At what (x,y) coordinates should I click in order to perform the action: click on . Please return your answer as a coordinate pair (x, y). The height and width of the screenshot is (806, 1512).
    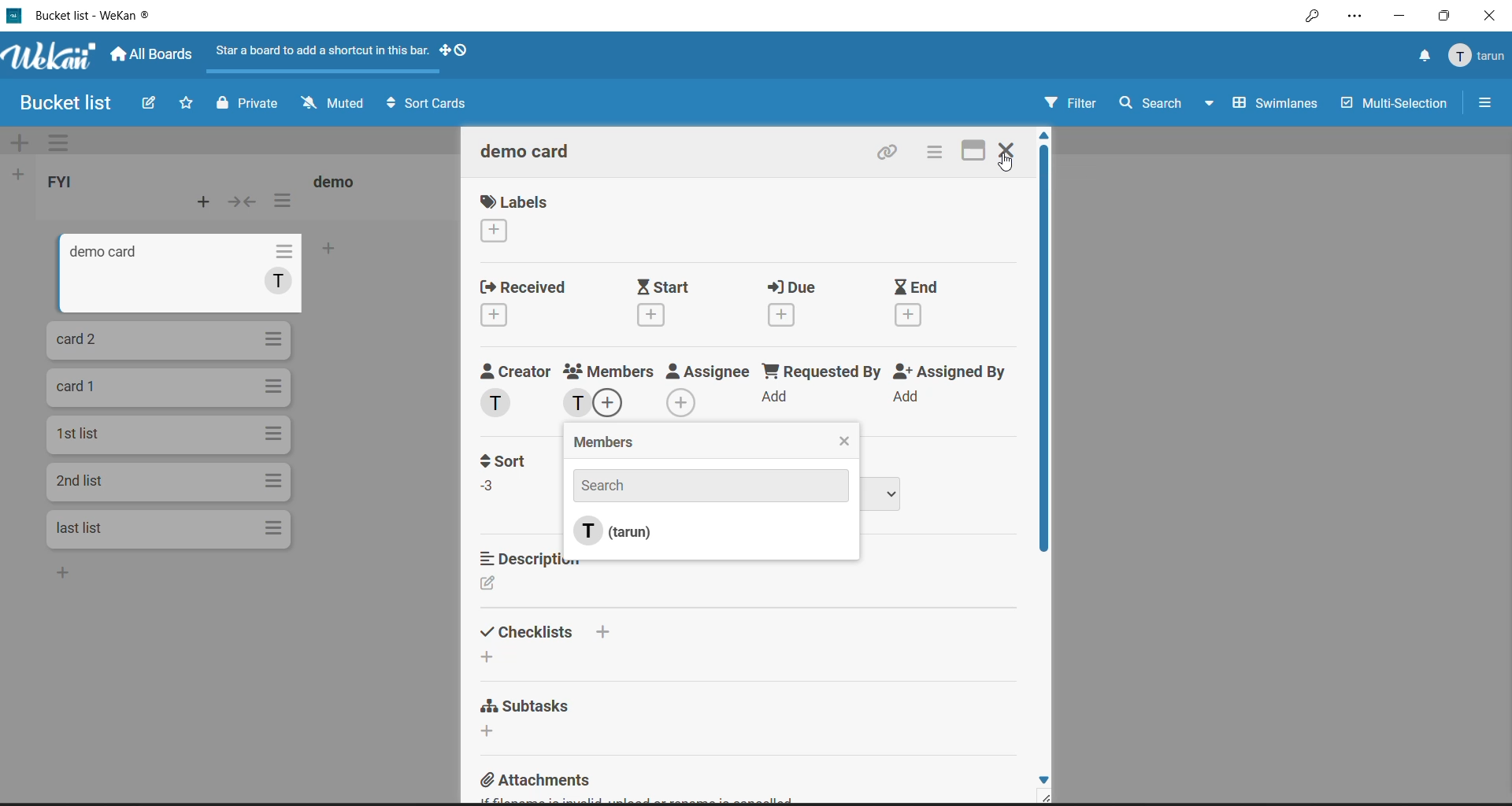
    Looking at the image, I should click on (529, 706).